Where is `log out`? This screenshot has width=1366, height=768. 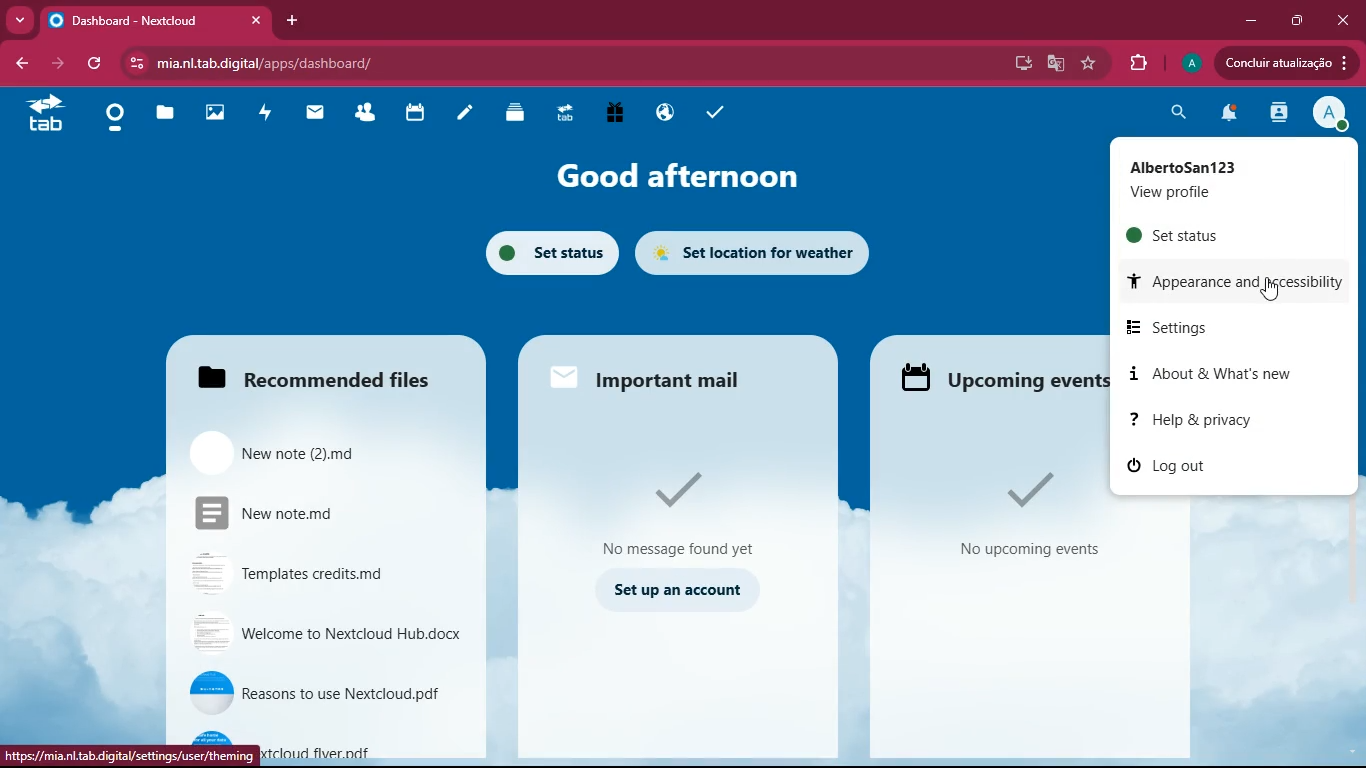
log out is located at coordinates (1182, 461).